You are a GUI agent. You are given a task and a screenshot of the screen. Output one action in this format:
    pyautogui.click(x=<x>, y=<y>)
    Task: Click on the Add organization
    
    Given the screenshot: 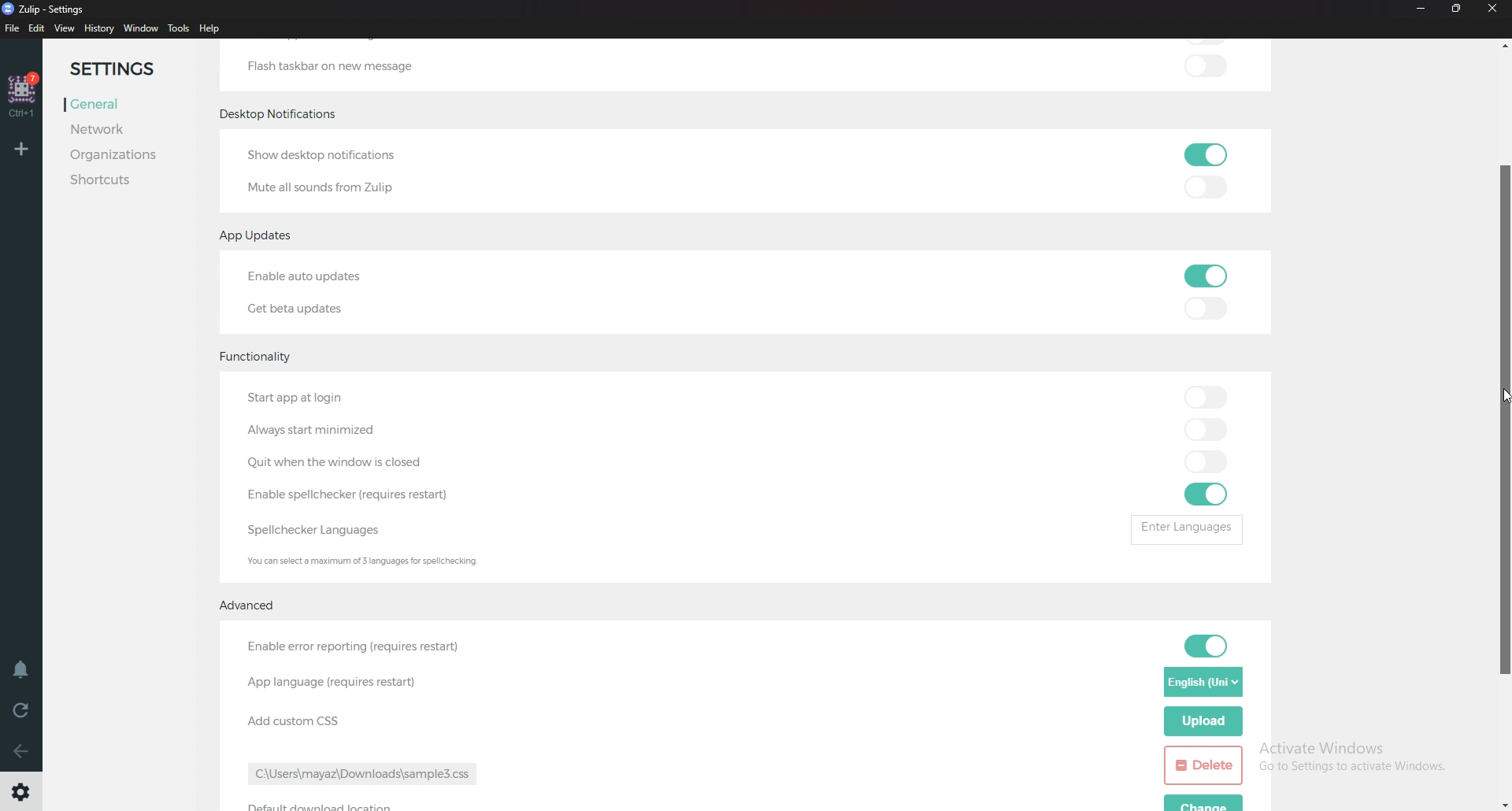 What is the action you would take?
    pyautogui.click(x=20, y=149)
    